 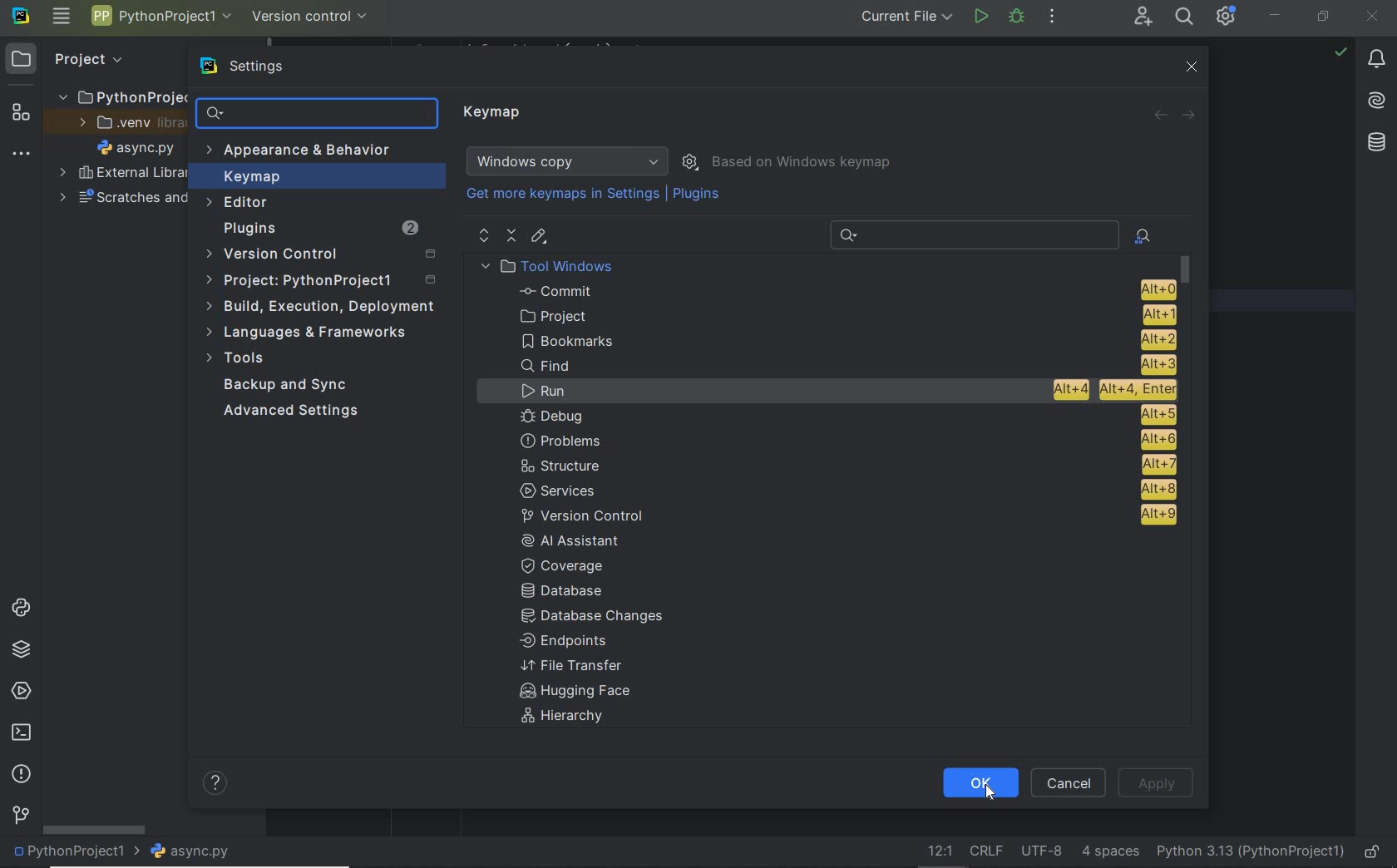 What do you see at coordinates (1227, 17) in the screenshot?
I see `IDE and Project Settings` at bounding box center [1227, 17].